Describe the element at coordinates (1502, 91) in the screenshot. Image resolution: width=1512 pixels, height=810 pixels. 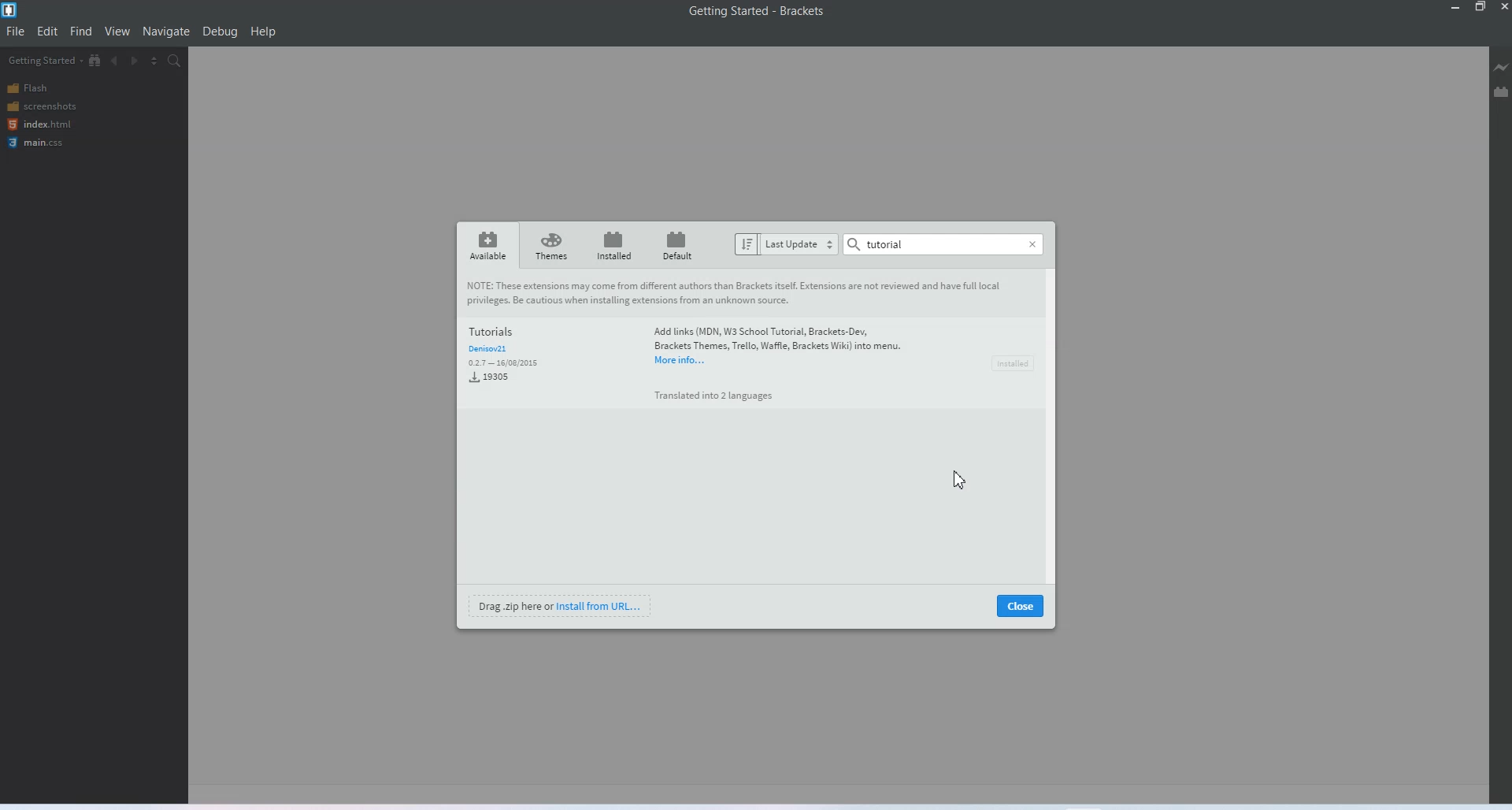
I see `Extension Manager` at that location.